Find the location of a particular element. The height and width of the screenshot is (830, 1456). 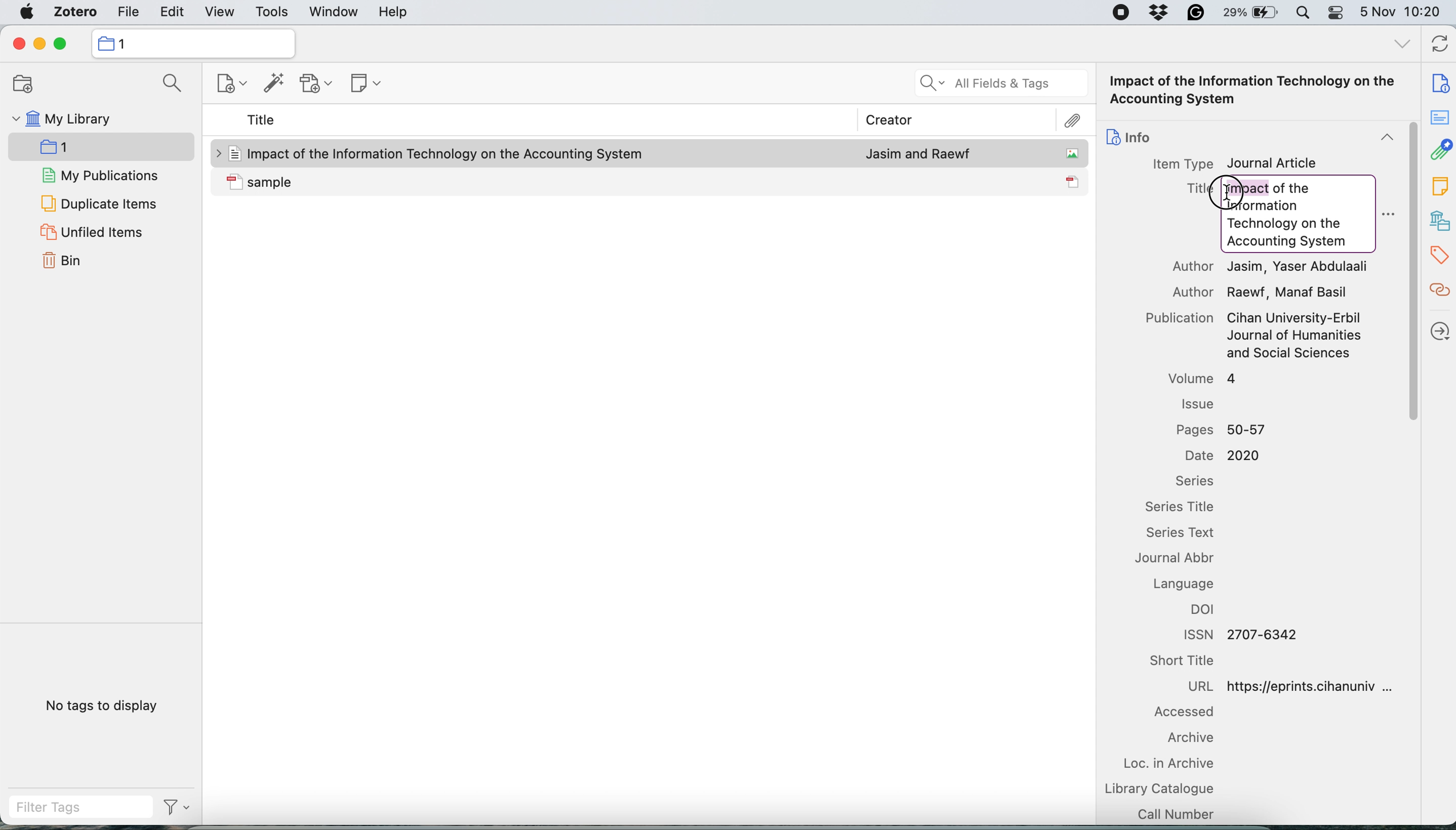

more options is located at coordinates (1387, 215).